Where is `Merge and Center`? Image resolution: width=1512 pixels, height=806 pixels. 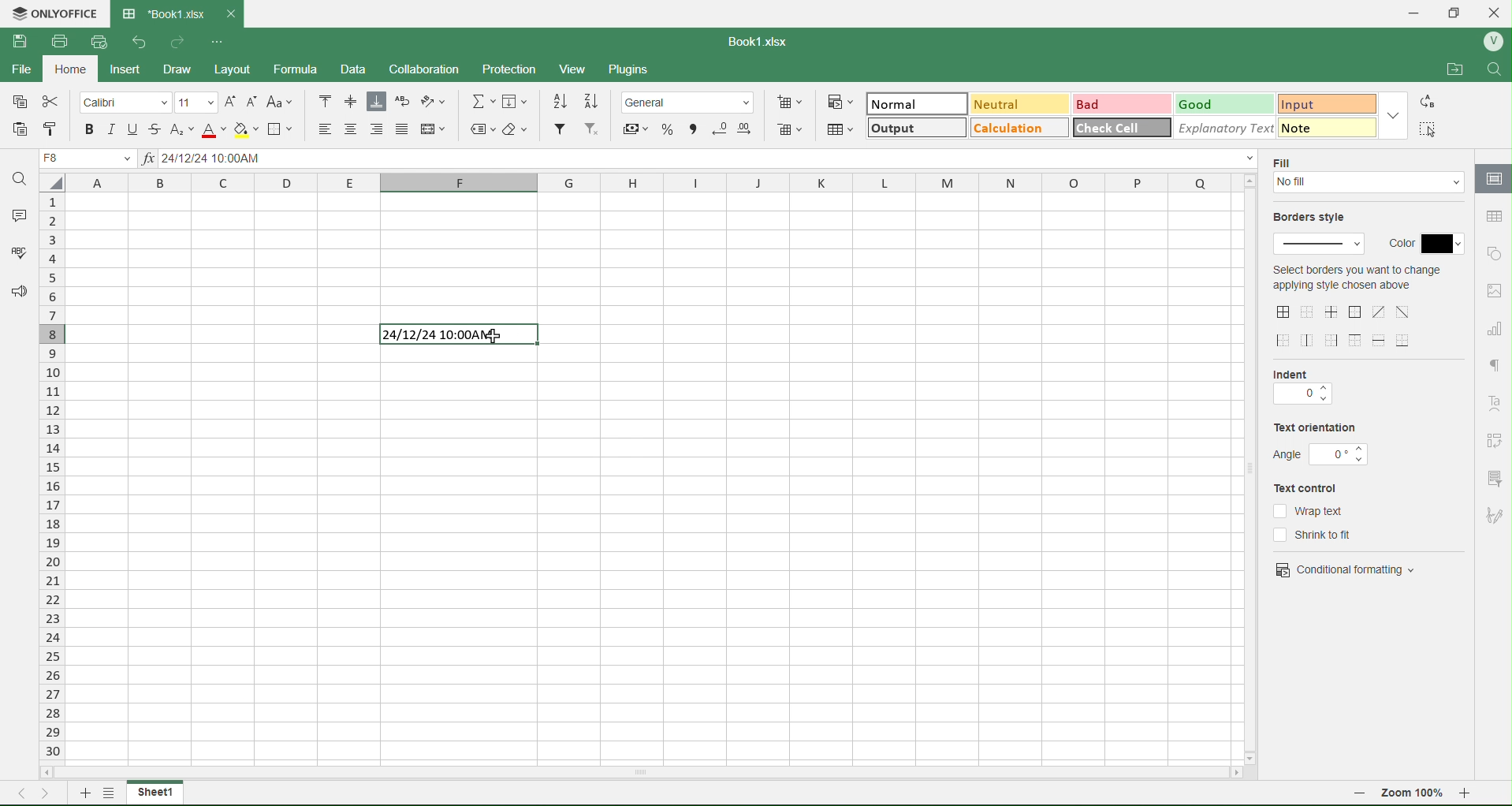 Merge and Center is located at coordinates (435, 128).